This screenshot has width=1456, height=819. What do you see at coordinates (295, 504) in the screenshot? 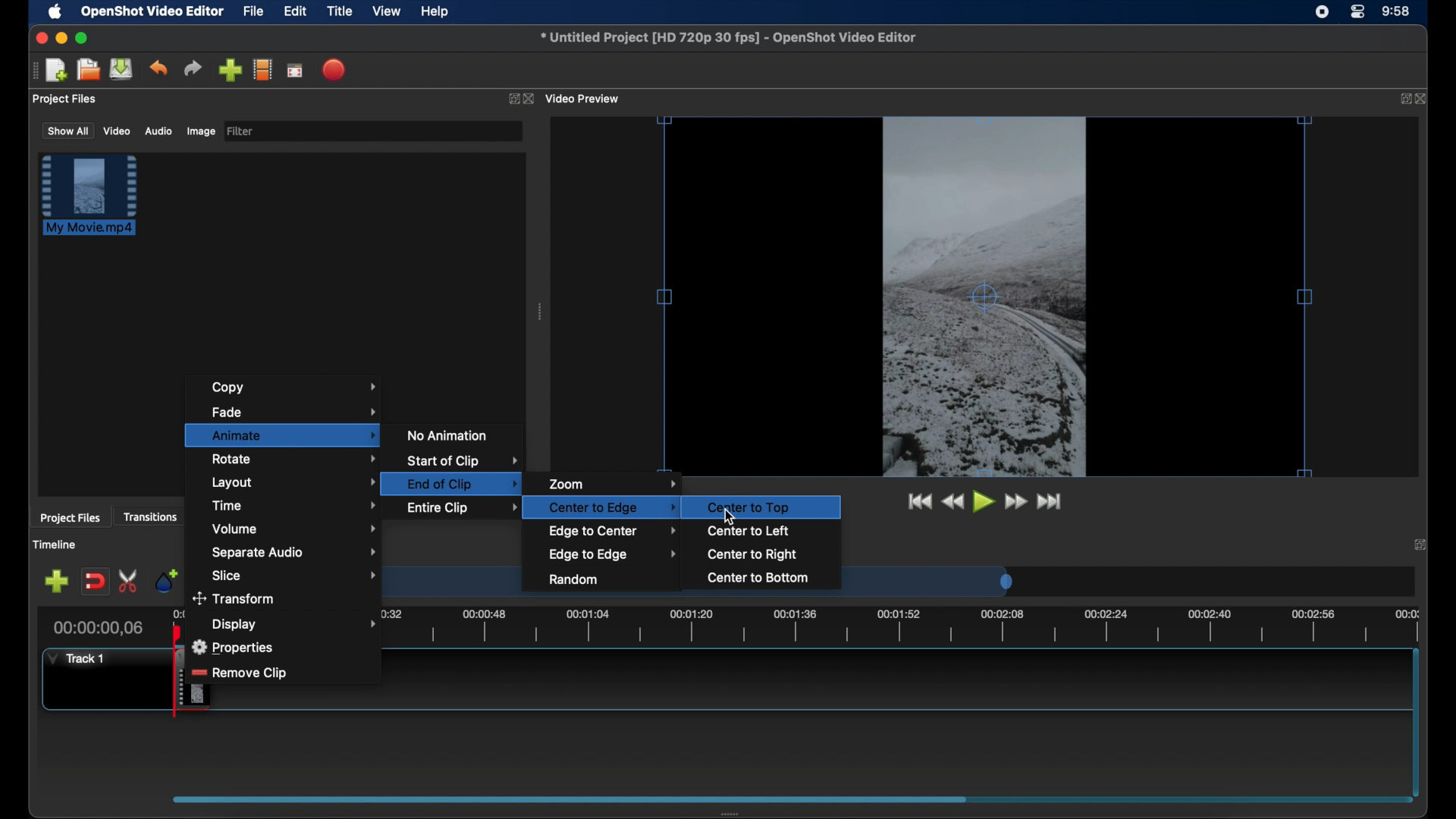
I see `time menu` at bounding box center [295, 504].